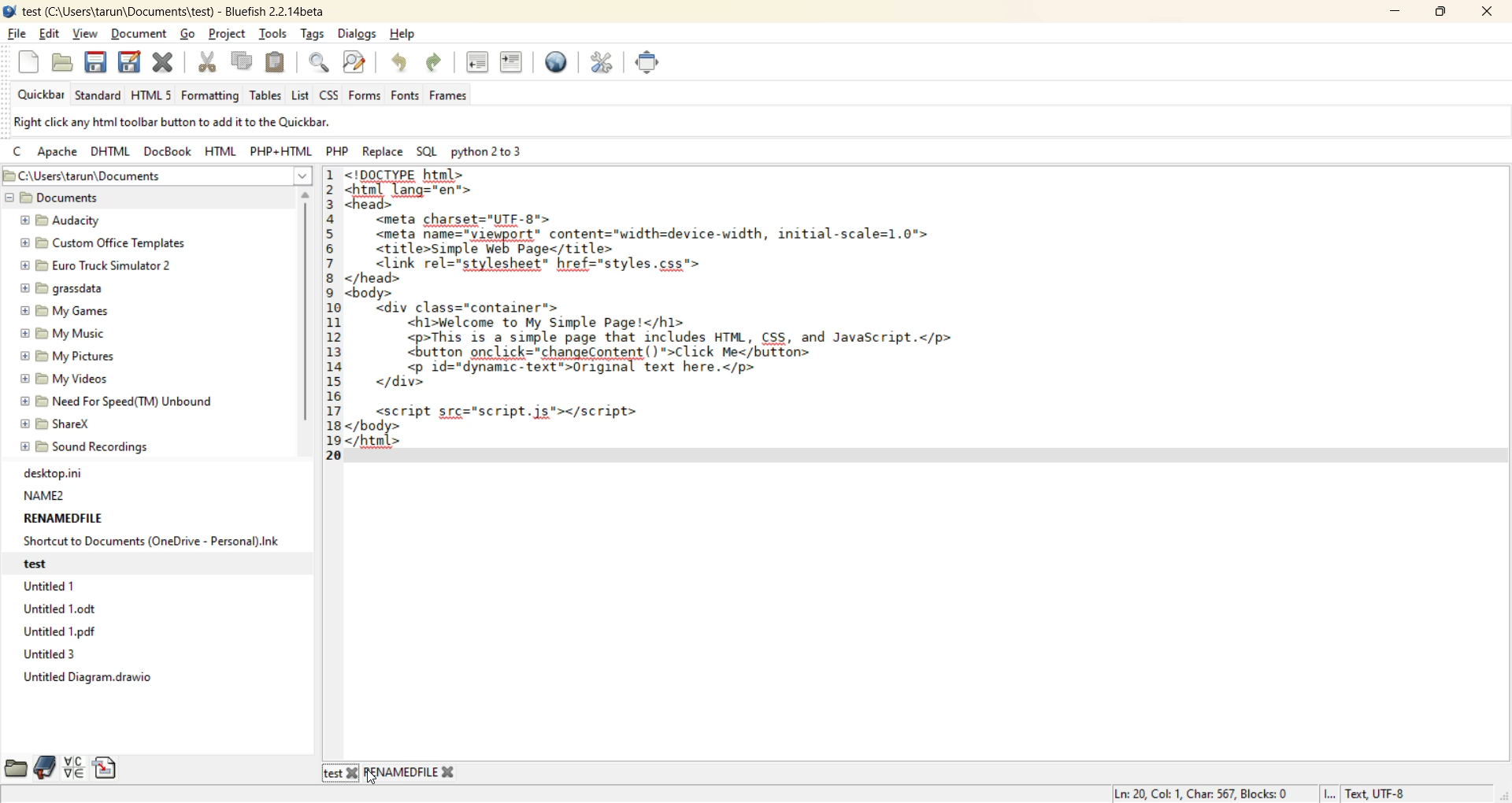 The image size is (1512, 803). What do you see at coordinates (272, 35) in the screenshot?
I see `tools` at bounding box center [272, 35].